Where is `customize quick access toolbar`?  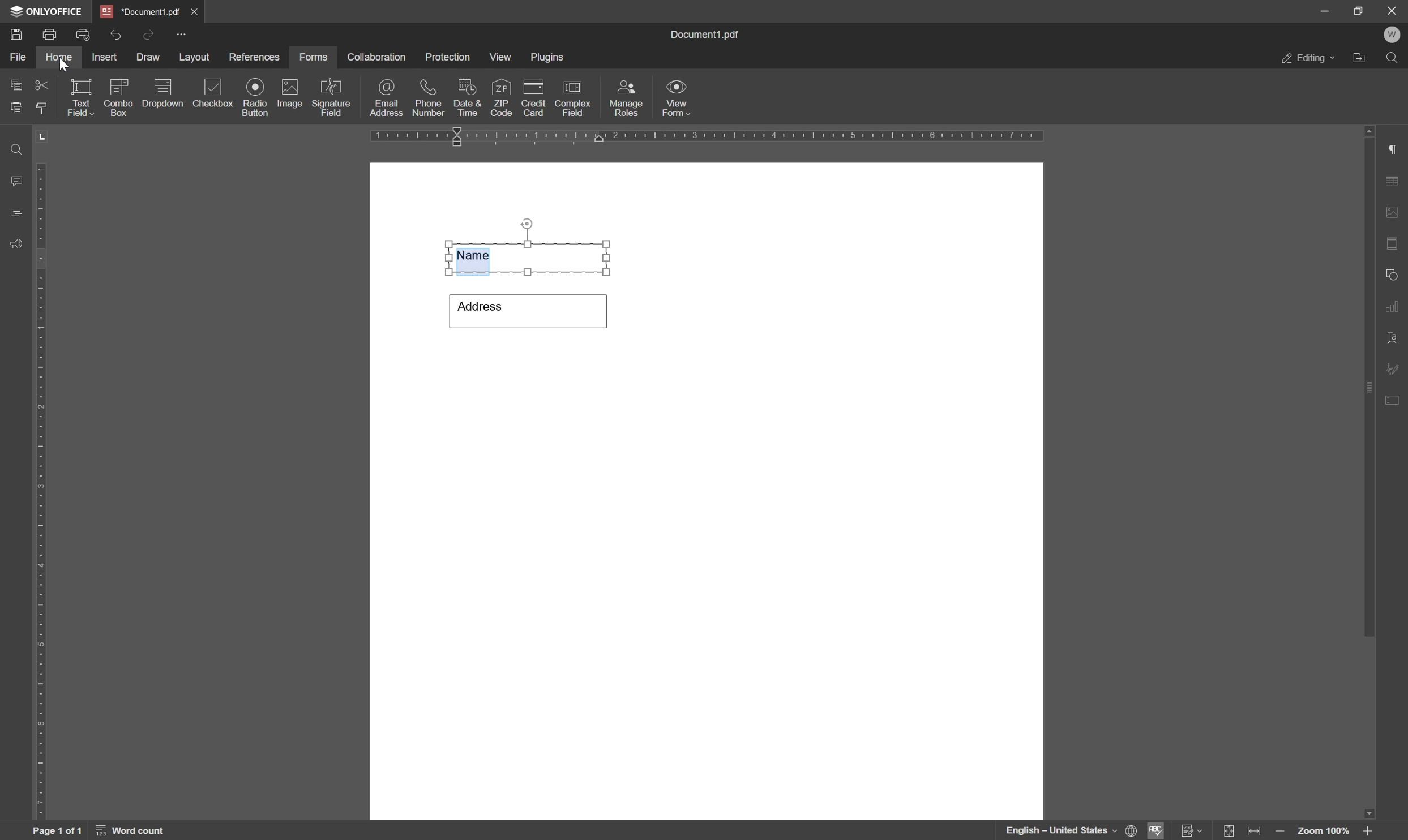 customize quick access toolbar is located at coordinates (183, 34).